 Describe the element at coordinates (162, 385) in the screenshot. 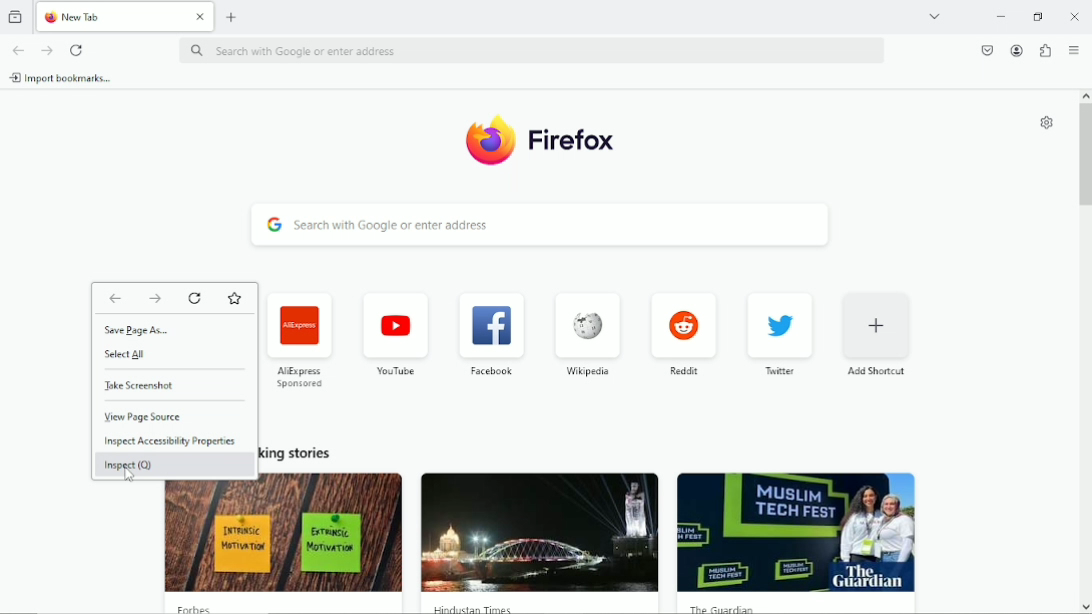

I see `Take screenshot` at that location.